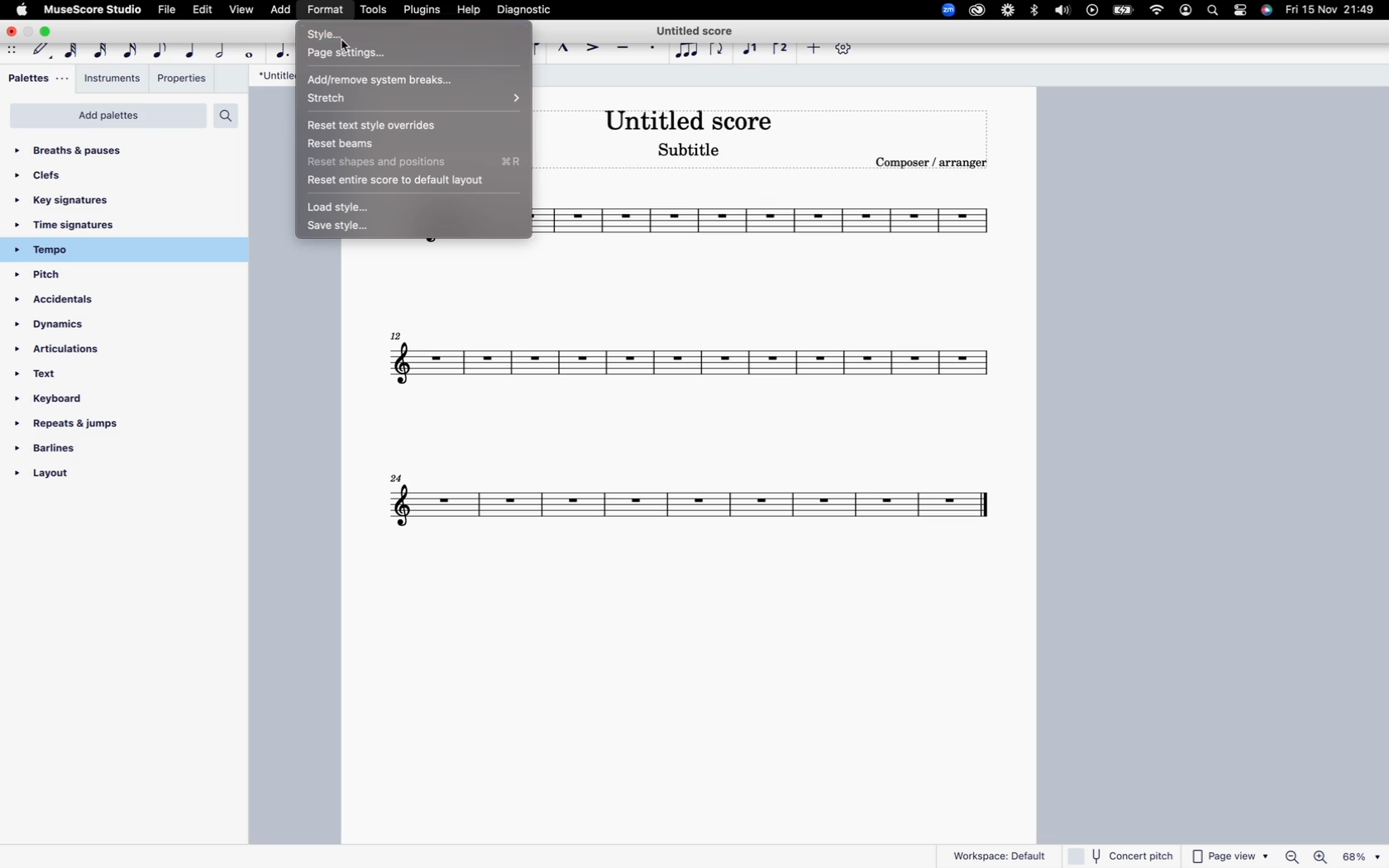 This screenshot has width=1389, height=868. I want to click on repeats & jumps, so click(69, 425).